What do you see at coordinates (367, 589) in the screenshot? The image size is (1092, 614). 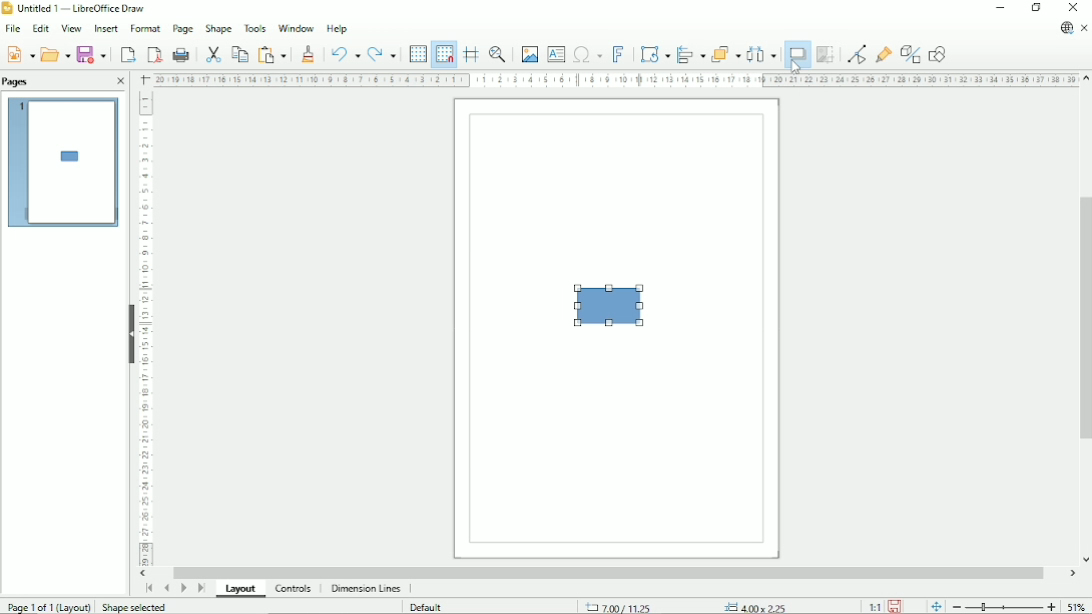 I see `Dimension lines` at bounding box center [367, 589].